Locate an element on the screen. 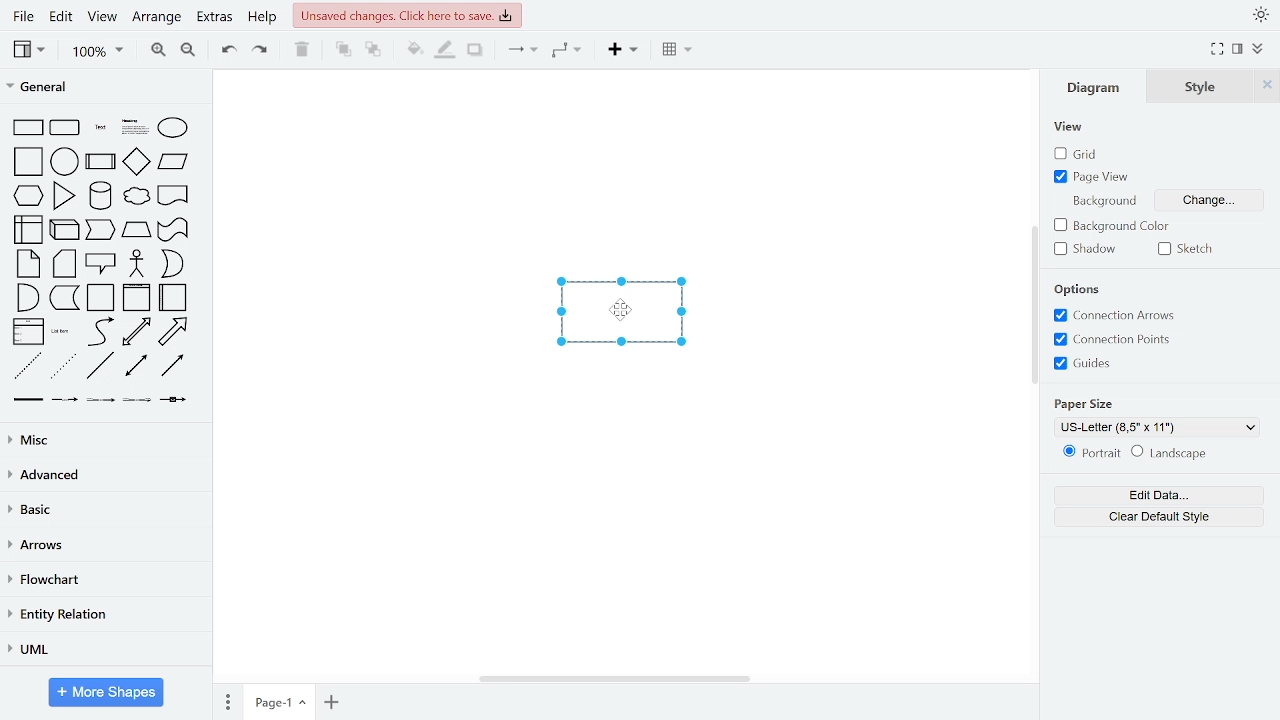 This screenshot has height=720, width=1280. flowchart is located at coordinates (105, 580).